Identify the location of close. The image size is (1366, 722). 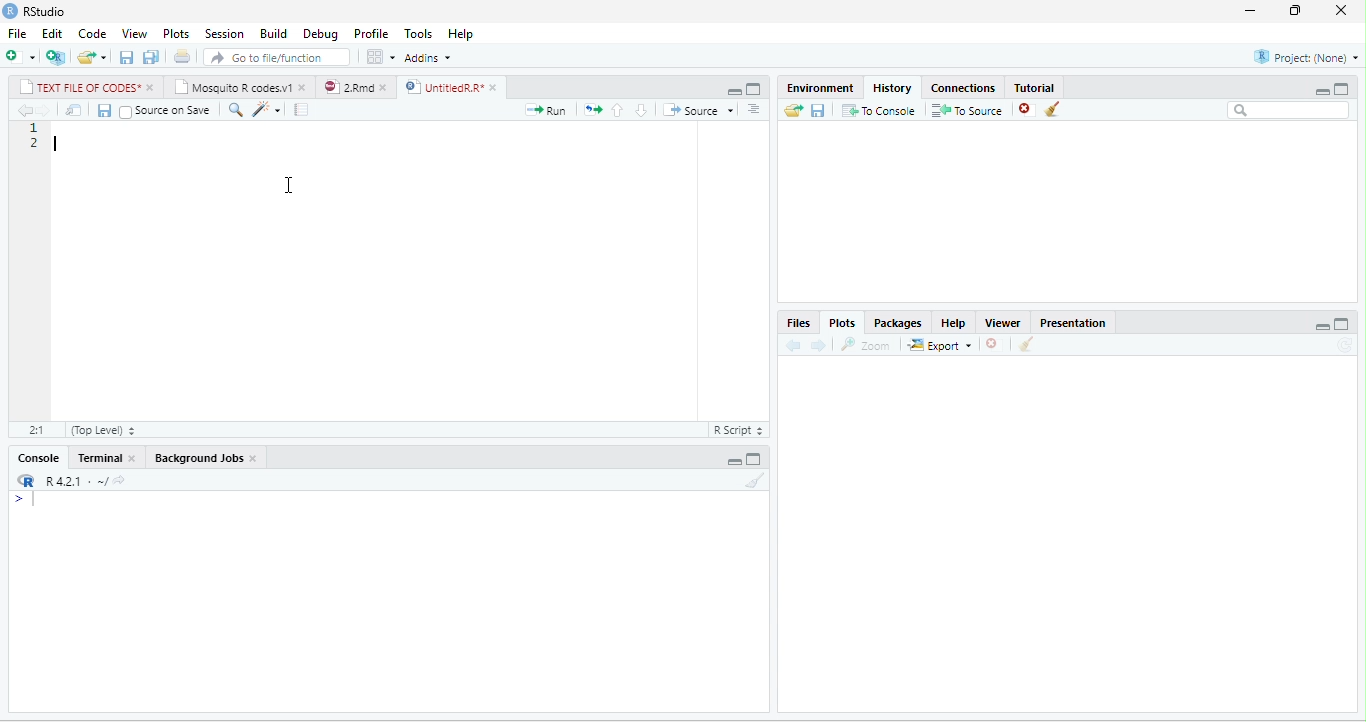
(153, 87).